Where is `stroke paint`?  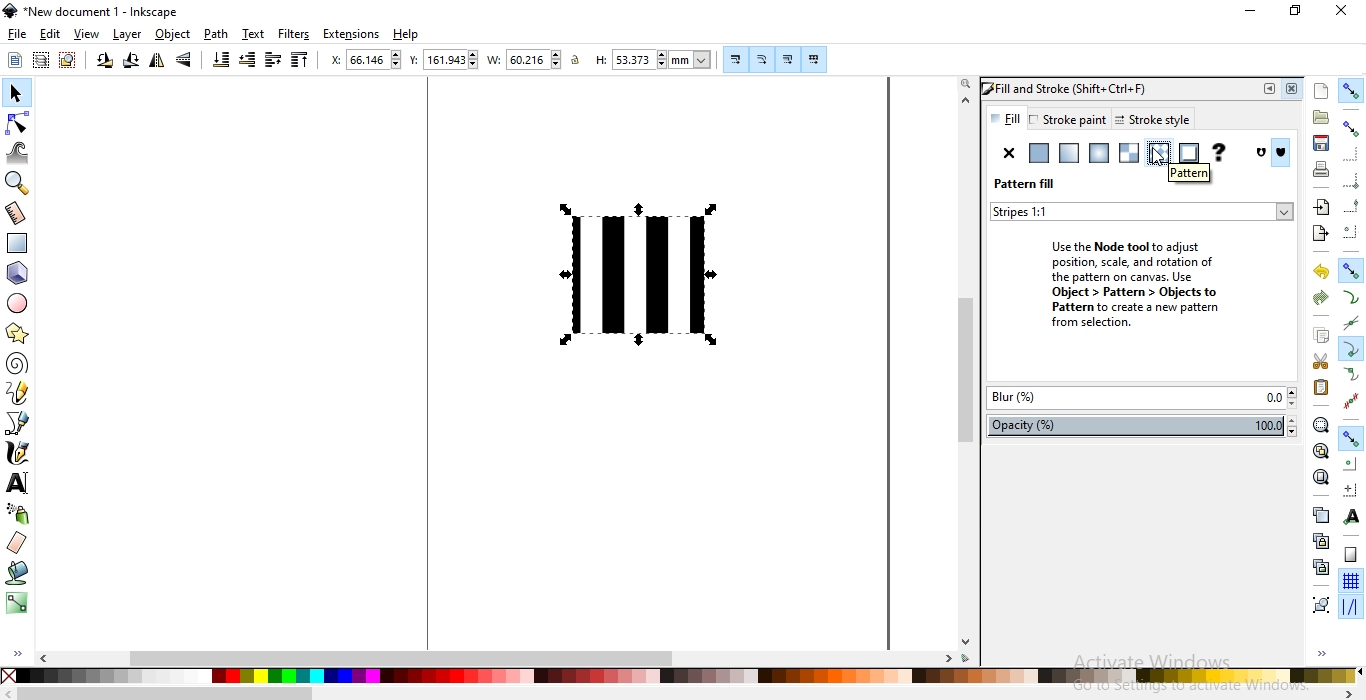 stroke paint is located at coordinates (1067, 119).